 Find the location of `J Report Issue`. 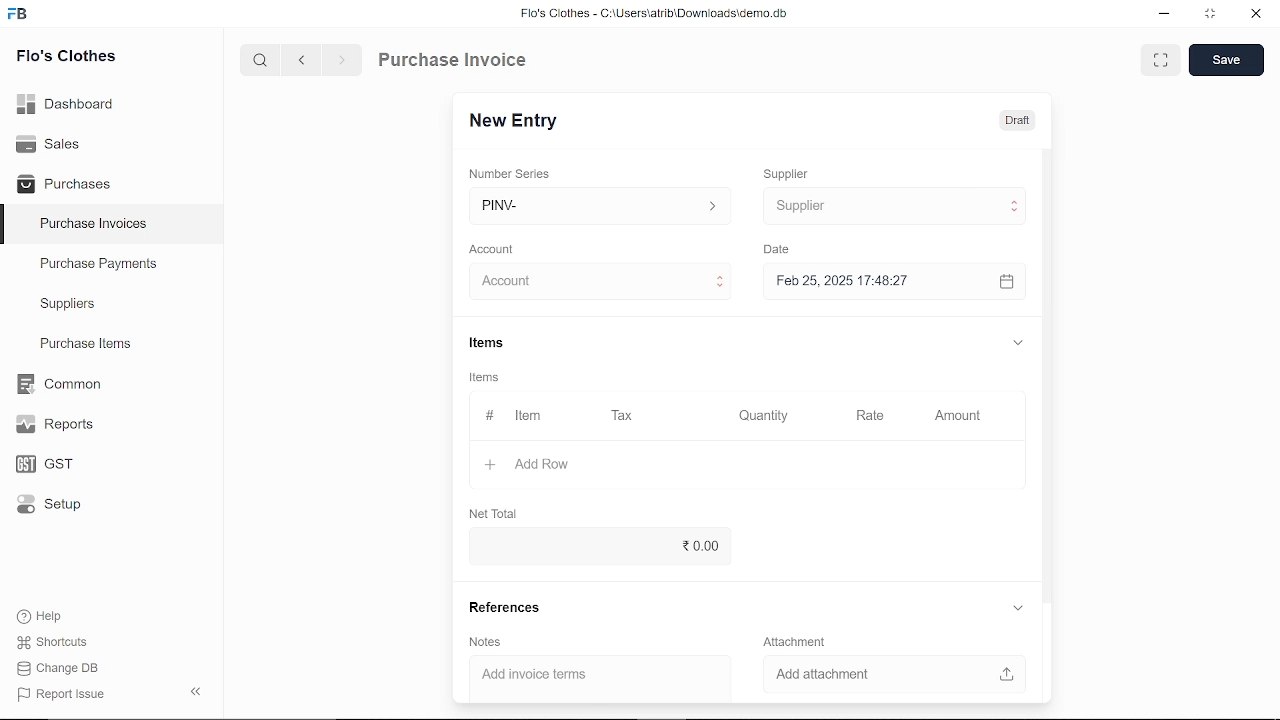

J Report Issue is located at coordinates (58, 694).